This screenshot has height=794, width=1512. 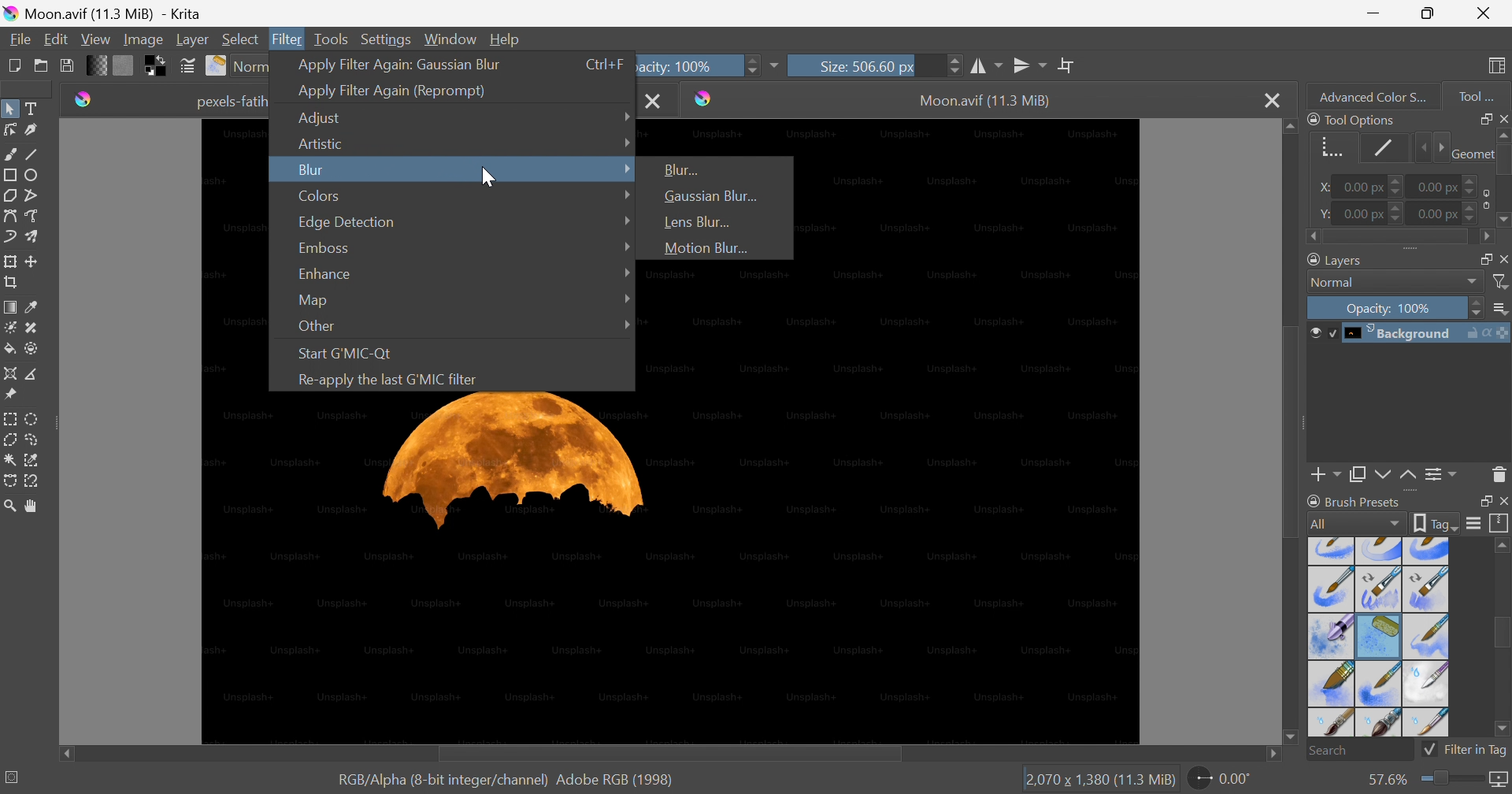 I want to click on Polyline tool, so click(x=34, y=195).